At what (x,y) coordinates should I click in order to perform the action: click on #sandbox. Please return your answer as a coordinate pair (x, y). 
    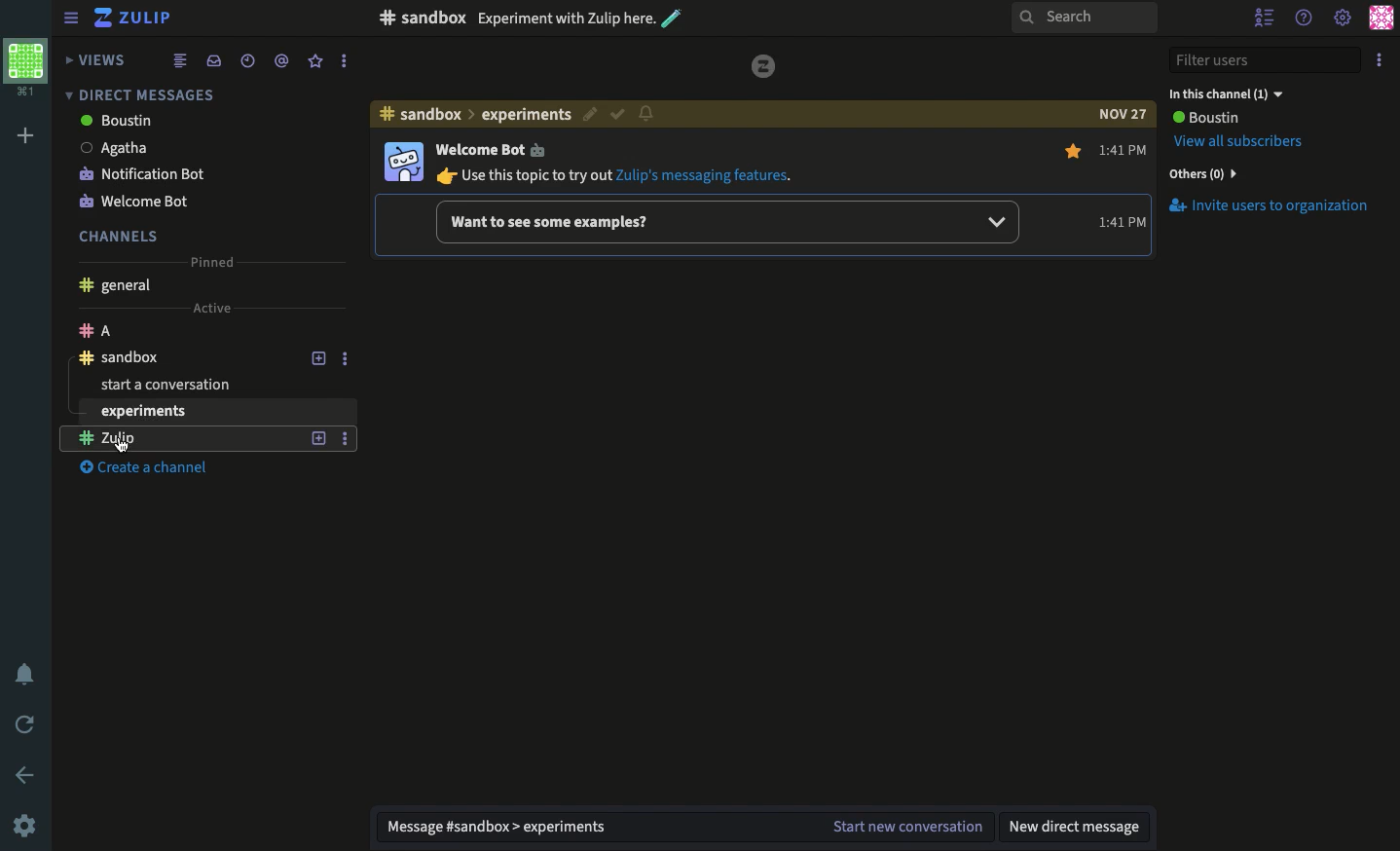
    Looking at the image, I should click on (421, 114).